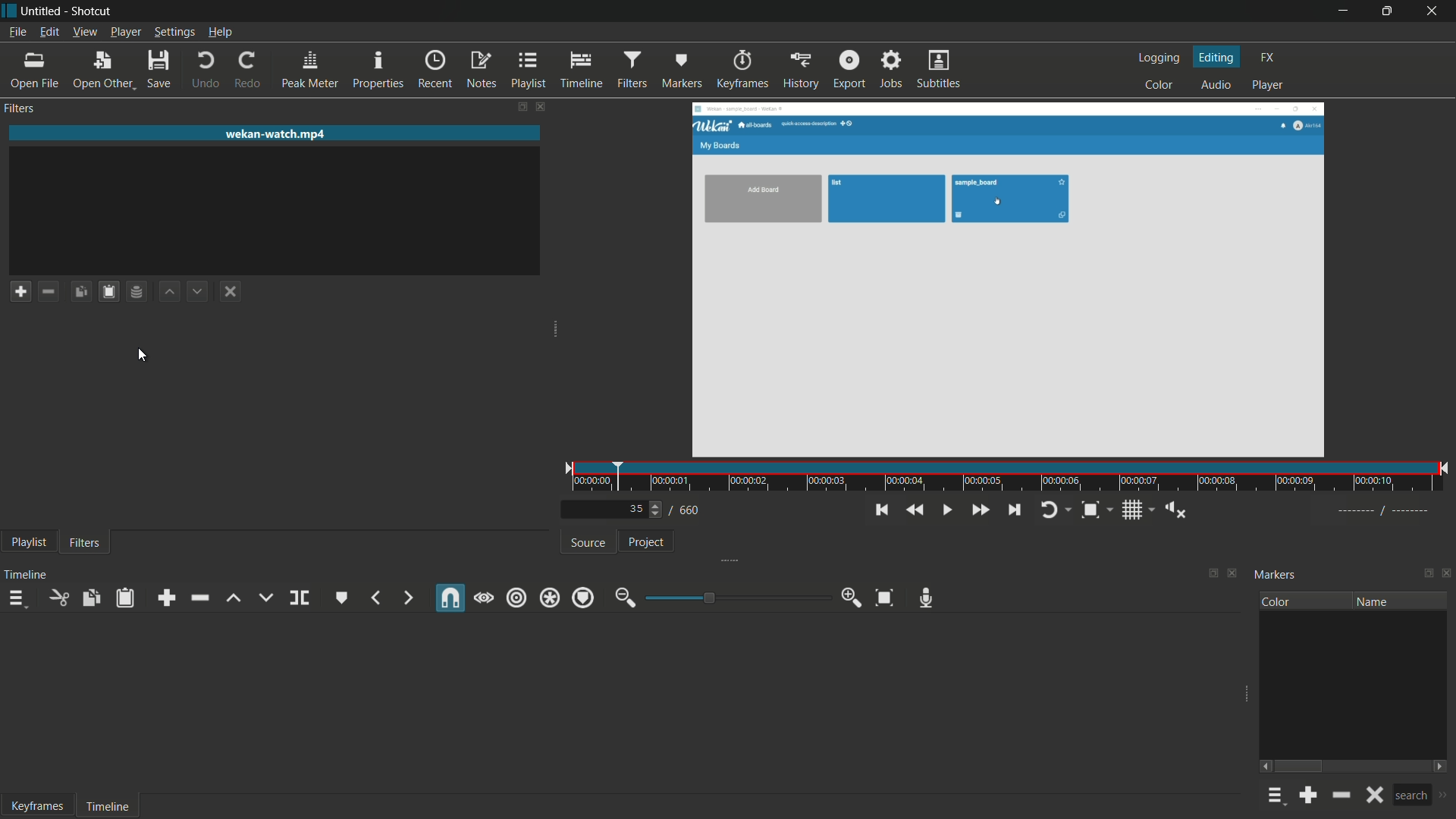 This screenshot has width=1456, height=819. Describe the element at coordinates (58, 600) in the screenshot. I see `cut` at that location.